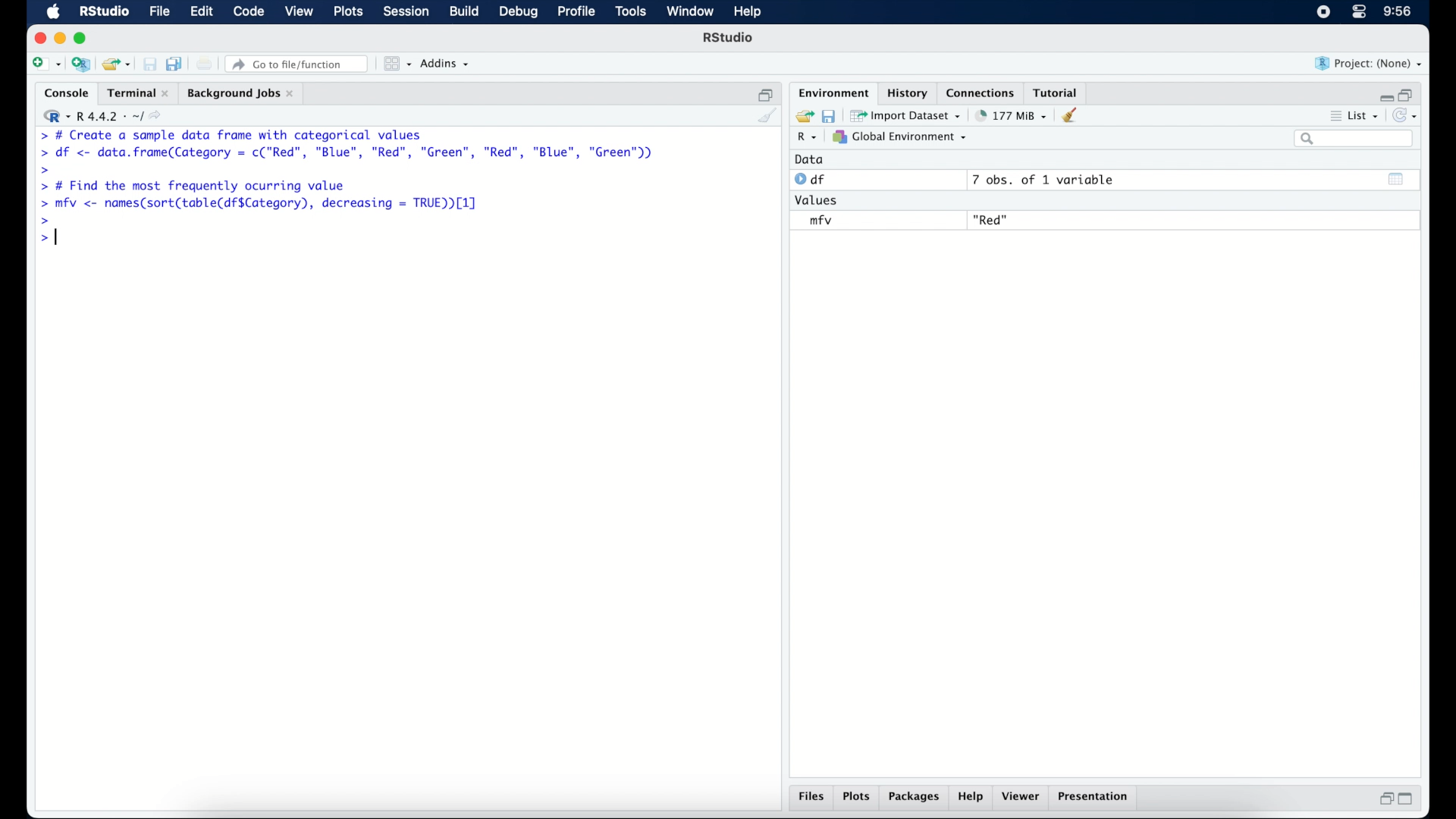 The width and height of the screenshot is (1456, 819). What do you see at coordinates (1407, 115) in the screenshot?
I see `refresh` at bounding box center [1407, 115].